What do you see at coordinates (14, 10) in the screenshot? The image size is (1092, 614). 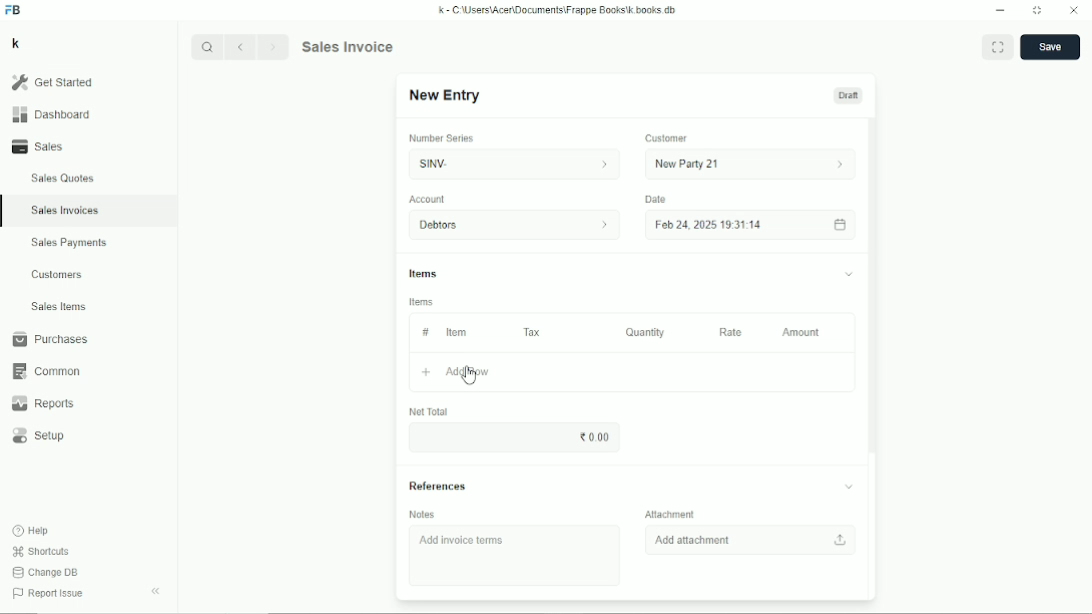 I see `FB` at bounding box center [14, 10].